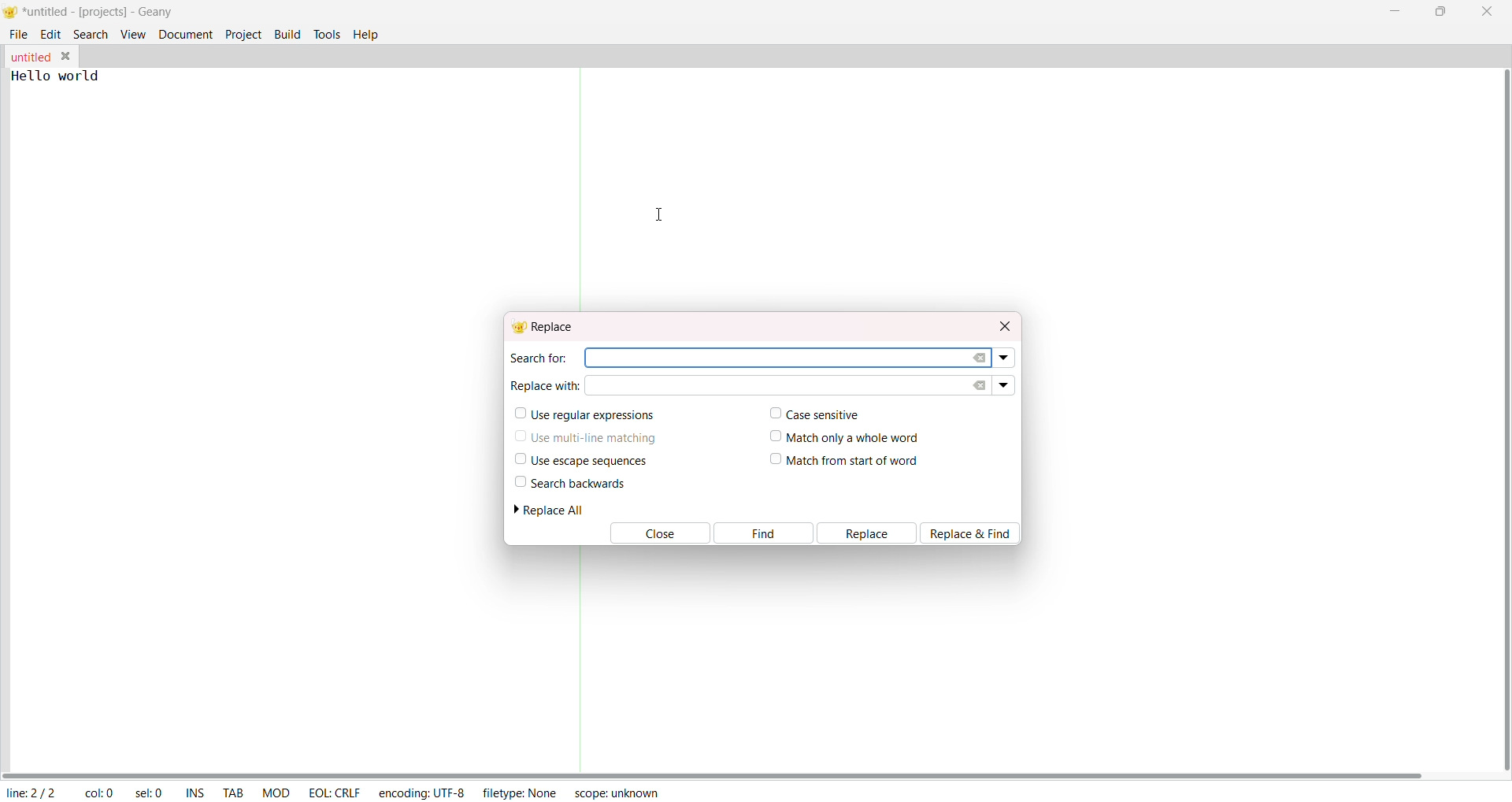 The image size is (1512, 802). I want to click on tab name, so click(30, 57).